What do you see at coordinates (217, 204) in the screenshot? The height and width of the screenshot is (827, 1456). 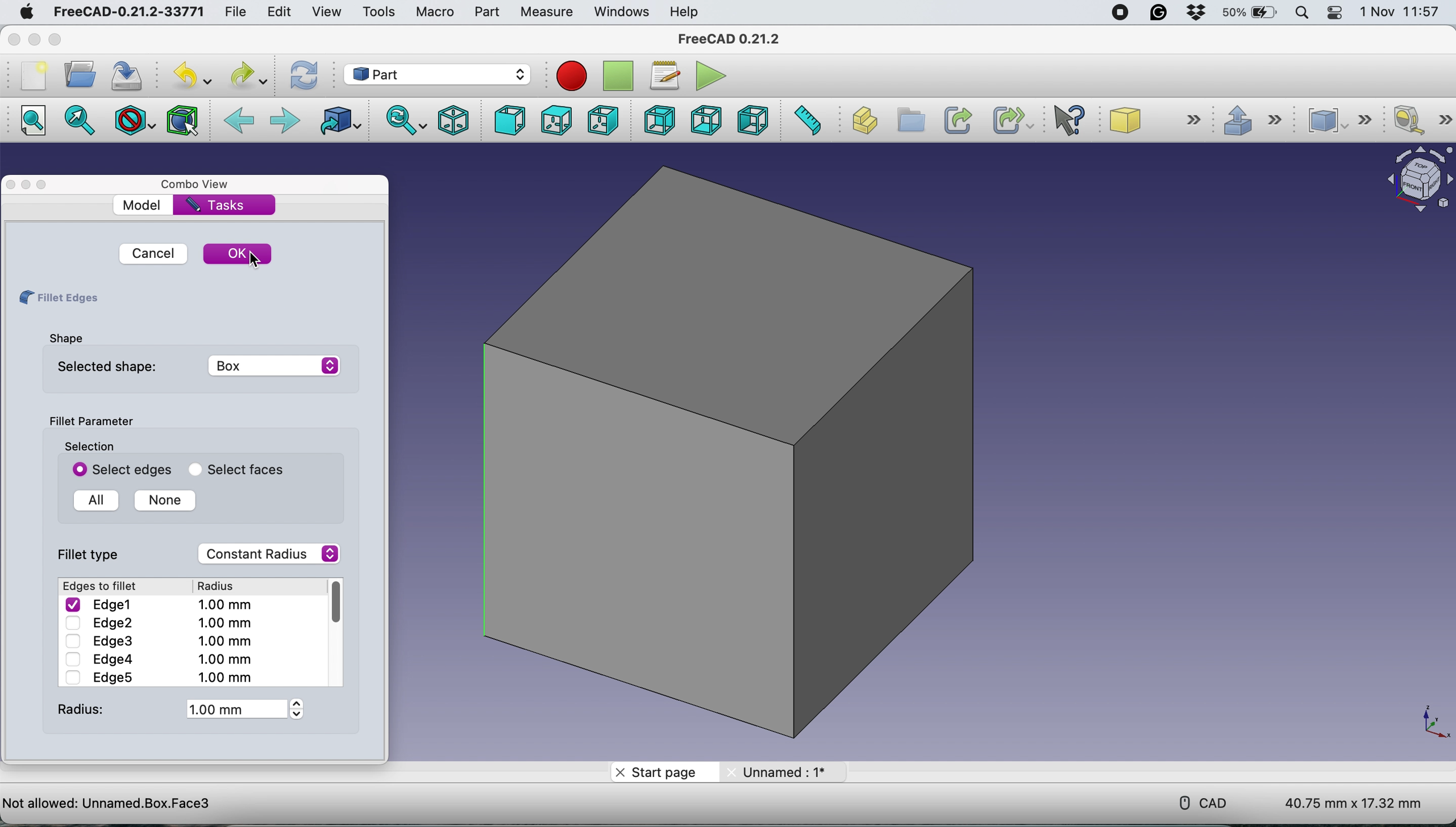 I see `Tasks` at bounding box center [217, 204].